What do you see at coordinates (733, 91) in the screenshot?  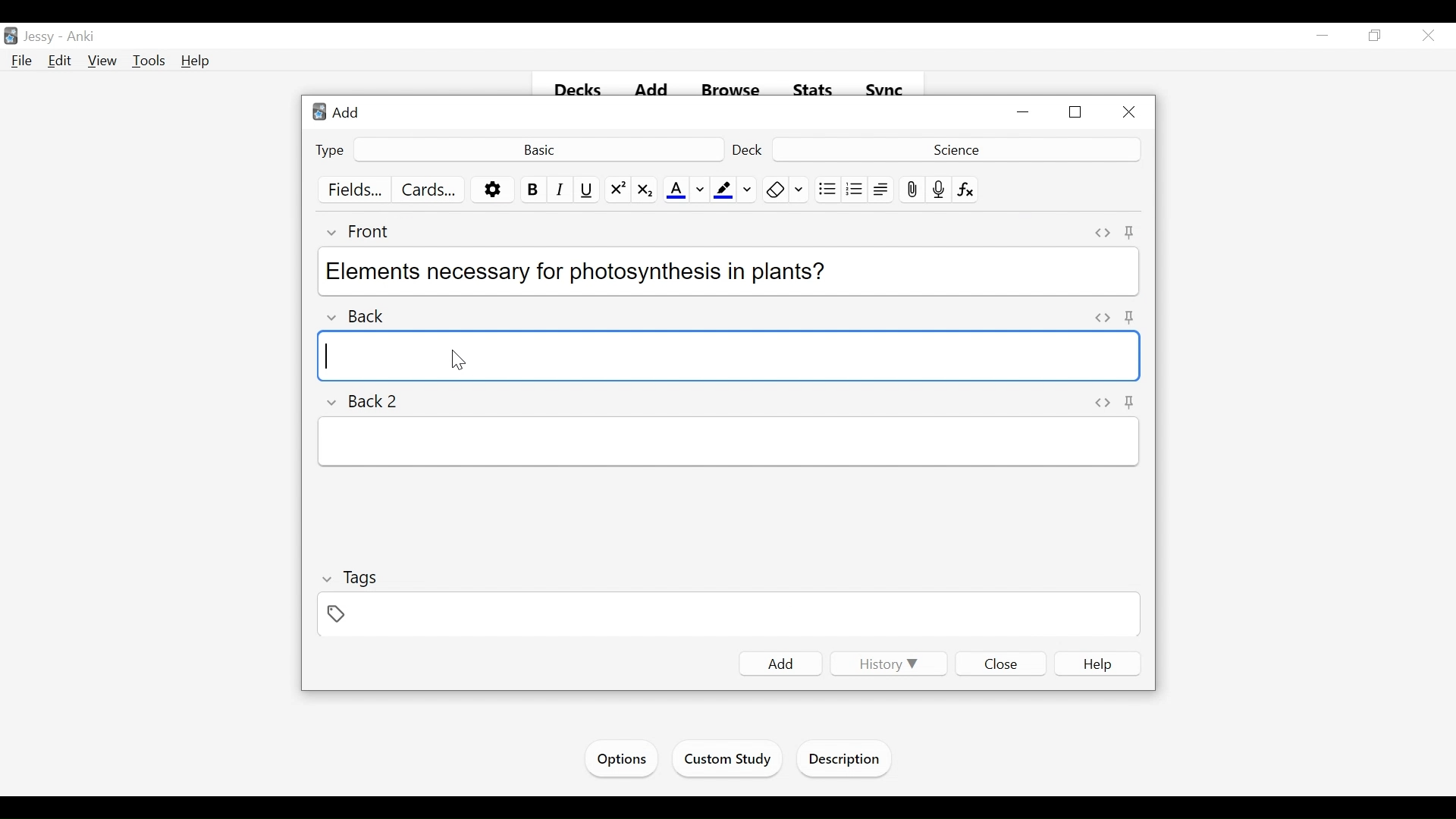 I see `Browse` at bounding box center [733, 91].